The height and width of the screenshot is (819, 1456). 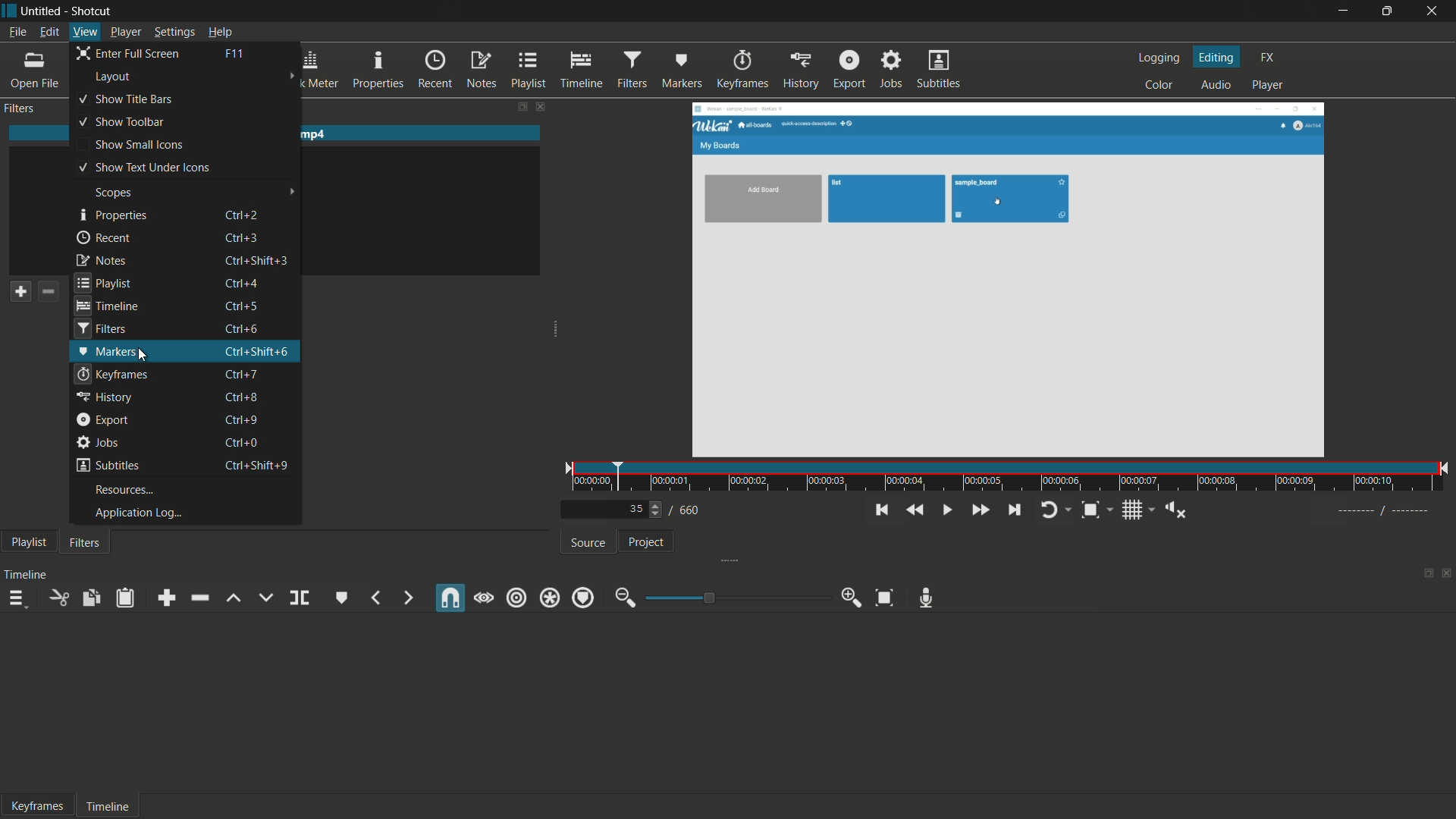 What do you see at coordinates (378, 71) in the screenshot?
I see `properties` at bounding box center [378, 71].